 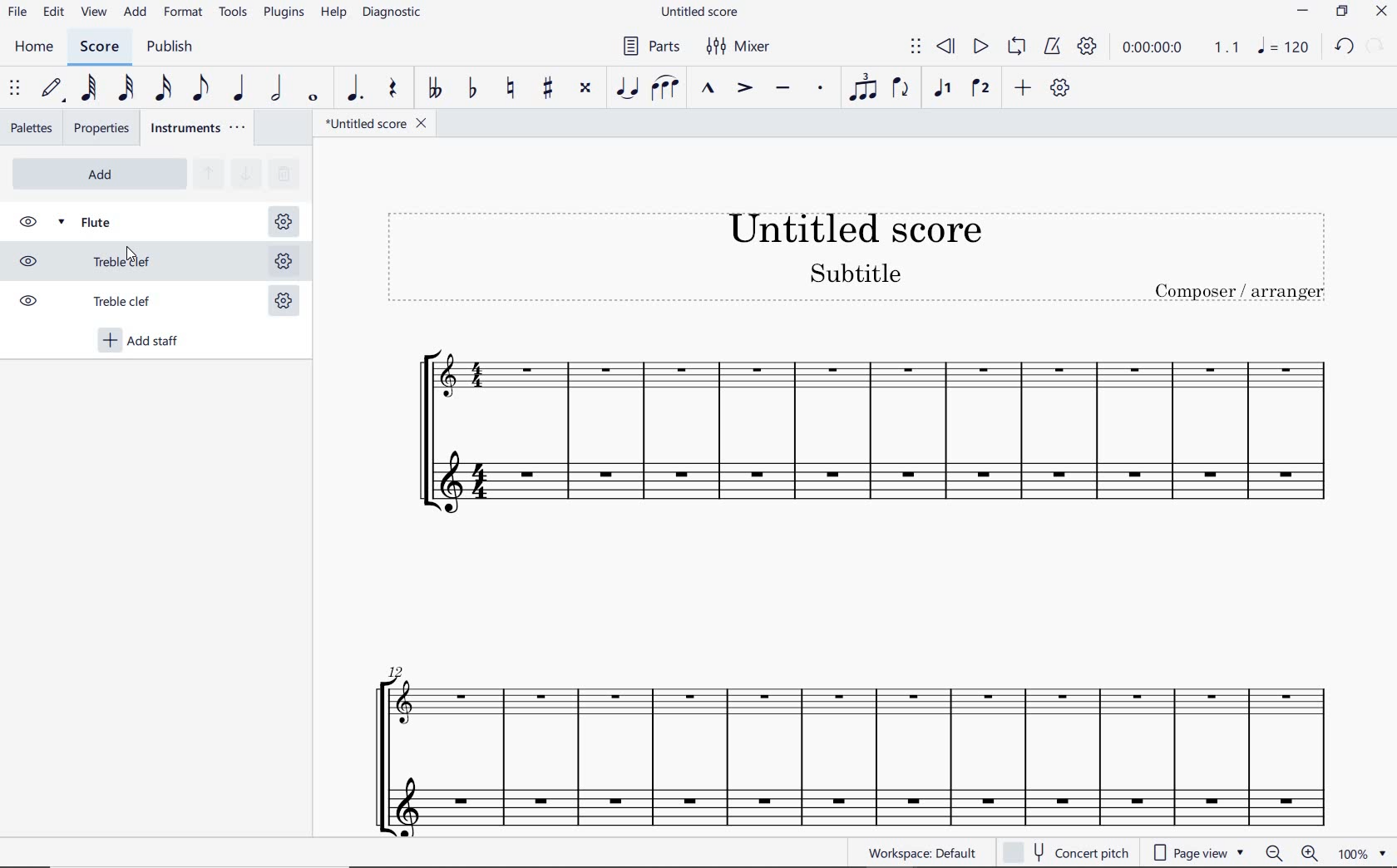 I want to click on CLOSE, so click(x=1381, y=12).